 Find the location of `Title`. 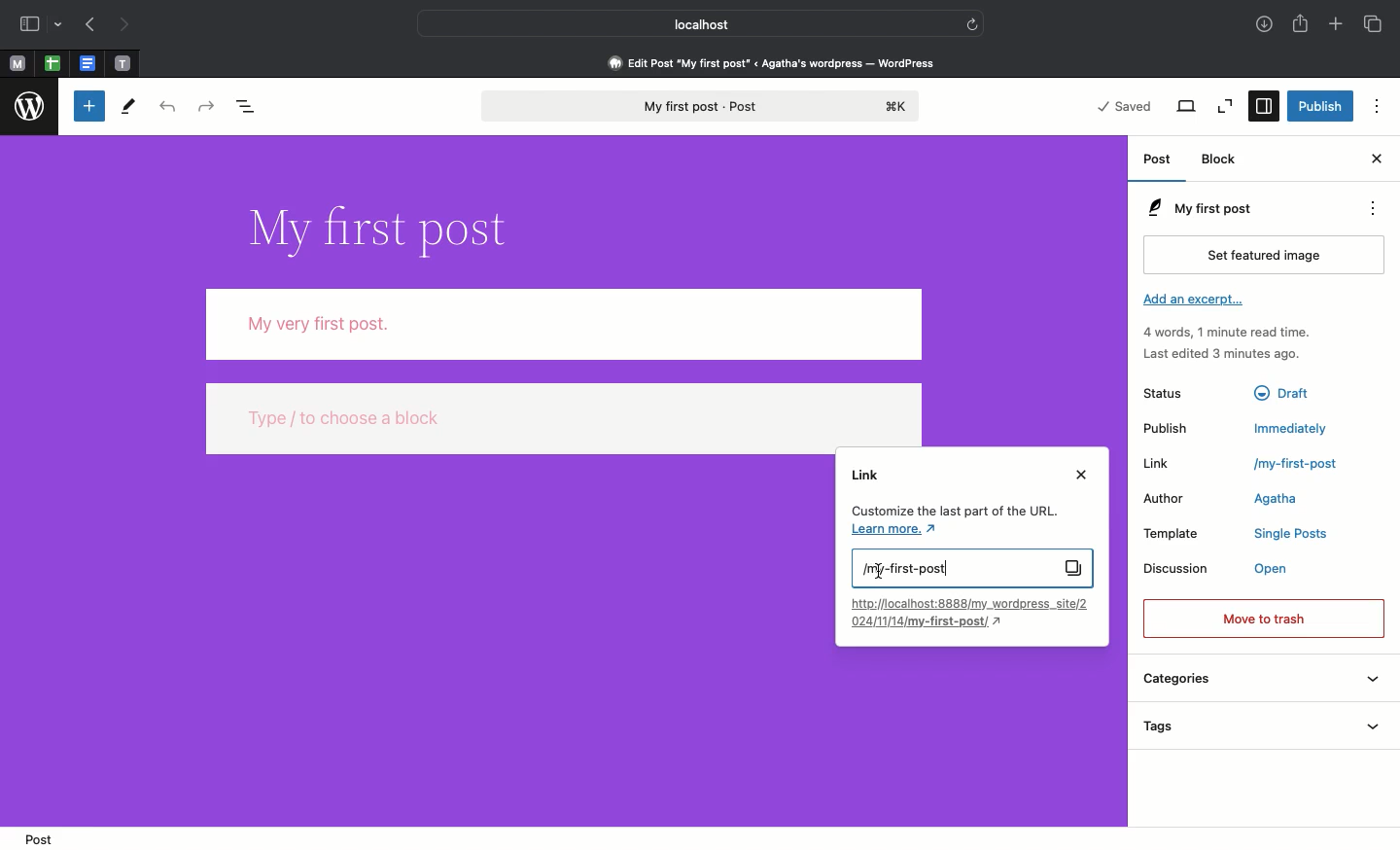

Title is located at coordinates (389, 230).